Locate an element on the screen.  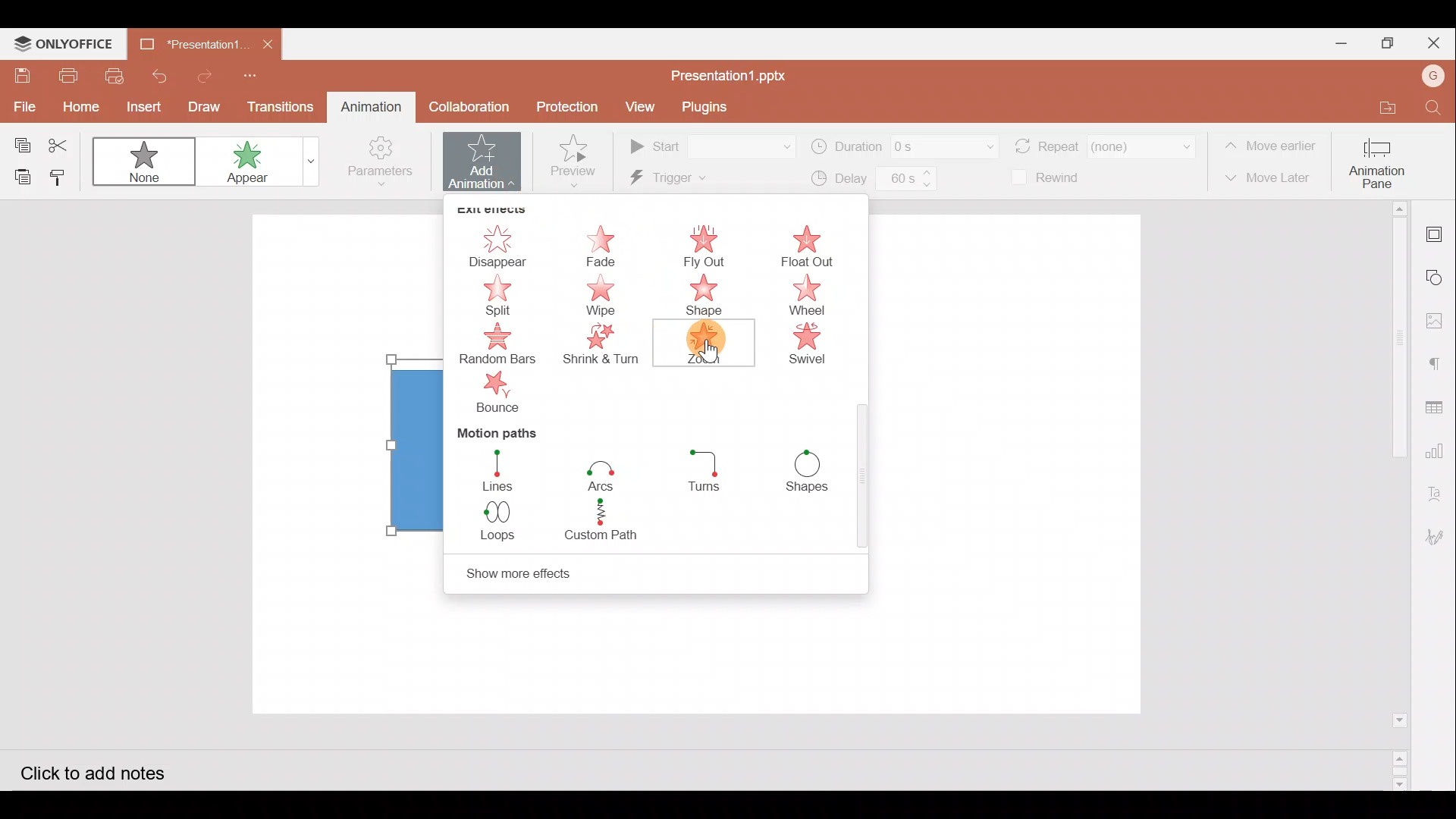
Quick print is located at coordinates (115, 74).